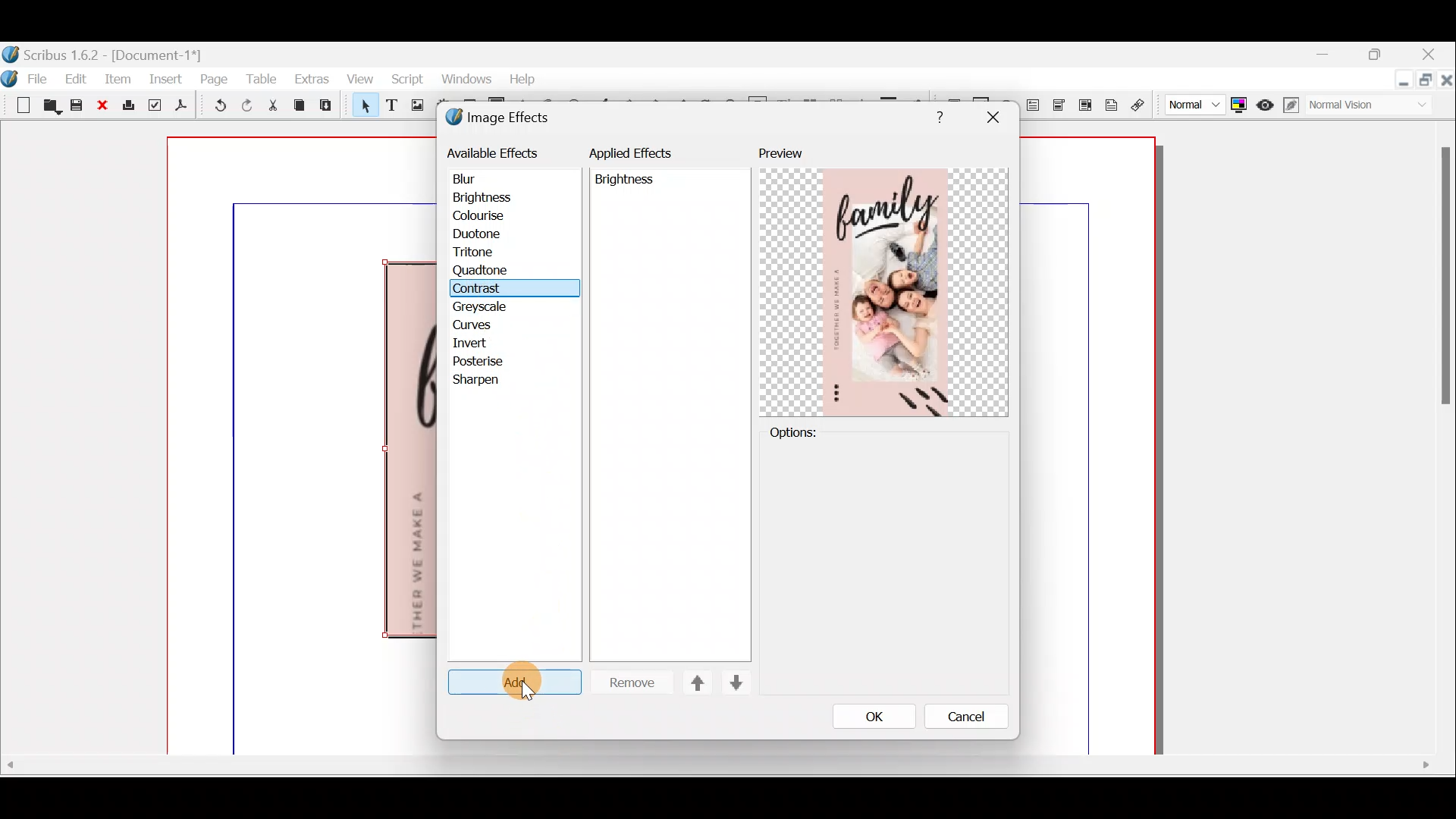  Describe the element at coordinates (329, 107) in the screenshot. I see `Paste` at that location.